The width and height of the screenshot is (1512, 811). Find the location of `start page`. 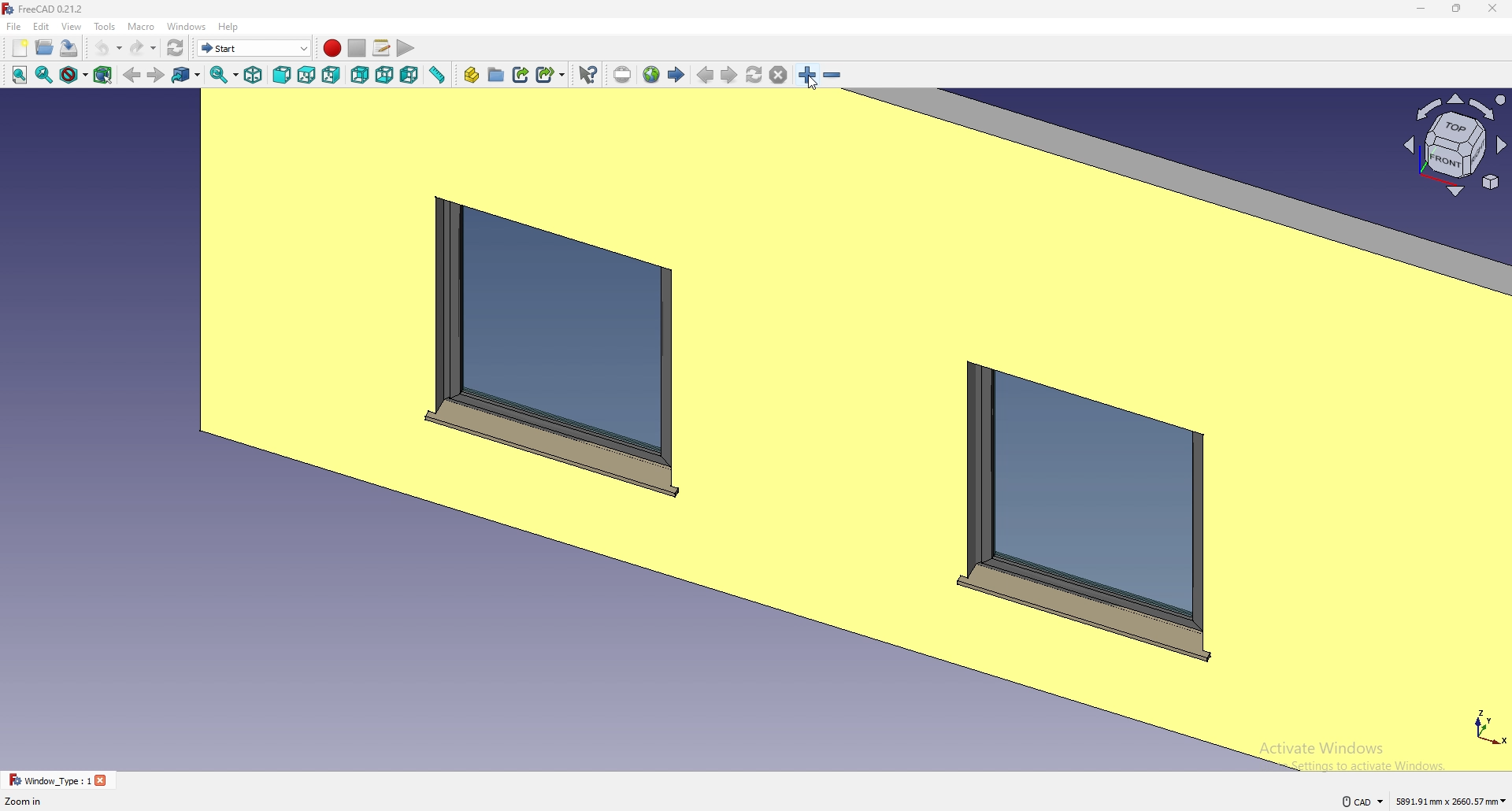

start page is located at coordinates (676, 73).